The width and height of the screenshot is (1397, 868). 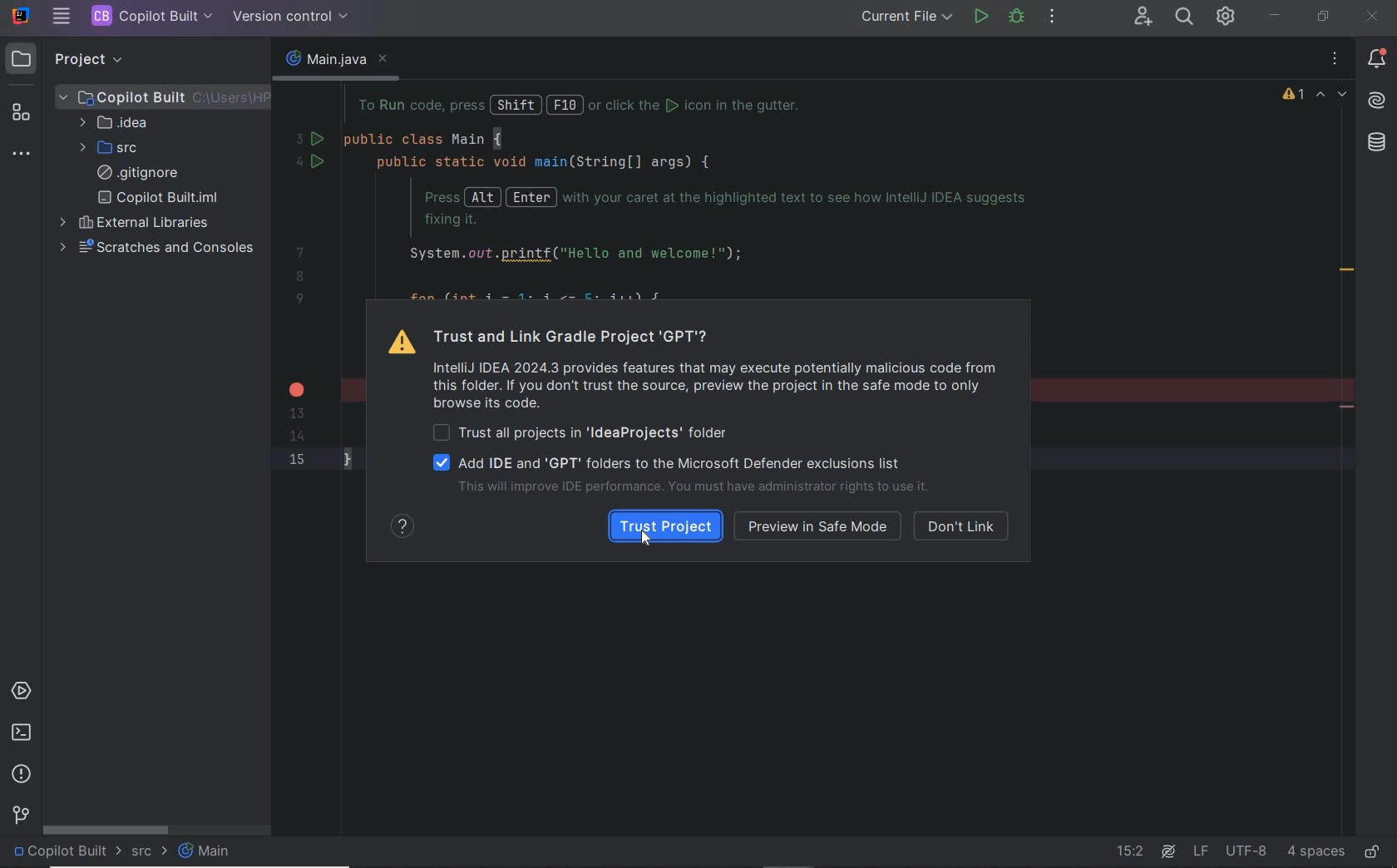 What do you see at coordinates (297, 413) in the screenshot?
I see `13` at bounding box center [297, 413].